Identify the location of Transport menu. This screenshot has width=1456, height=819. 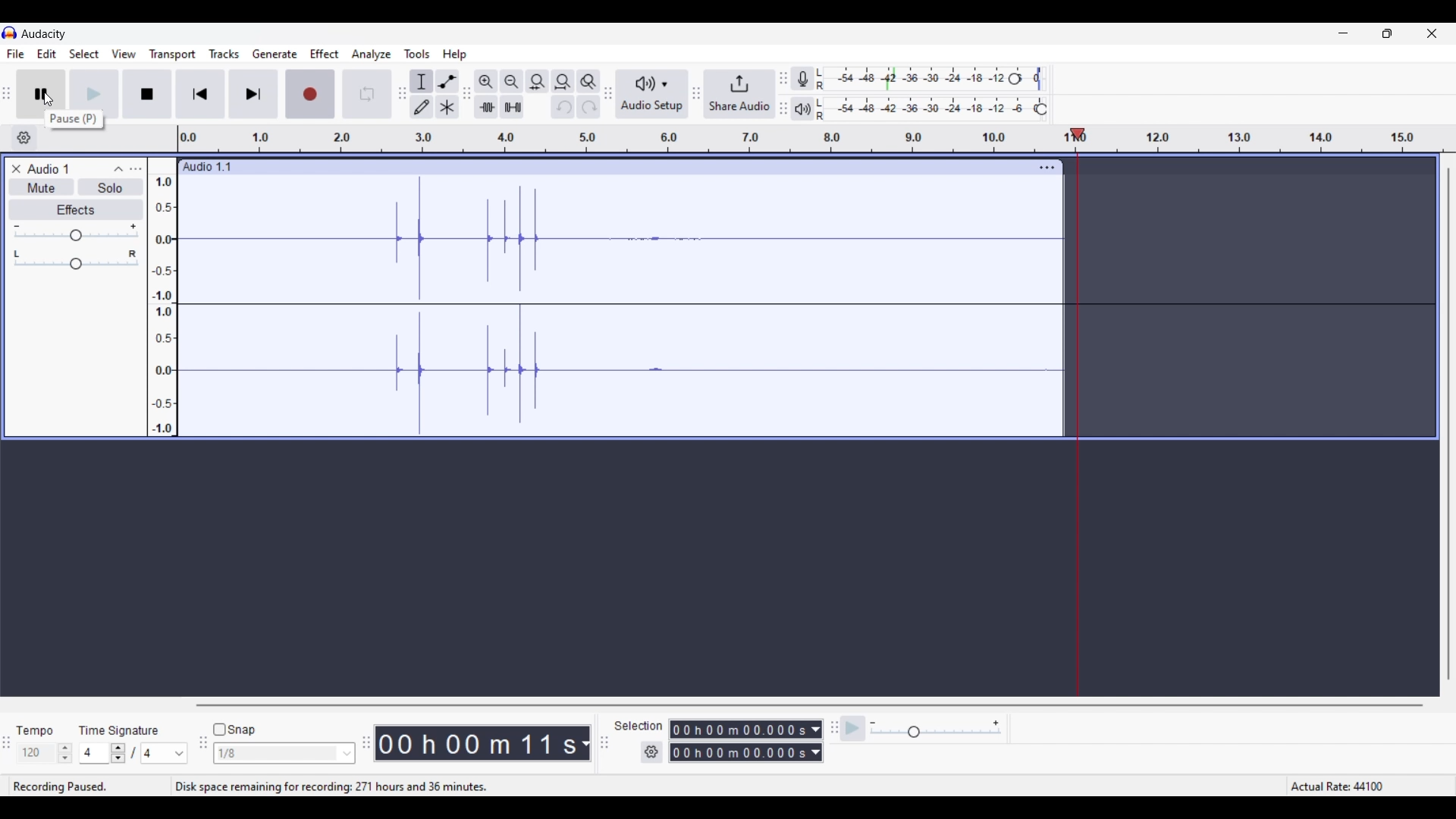
(173, 54).